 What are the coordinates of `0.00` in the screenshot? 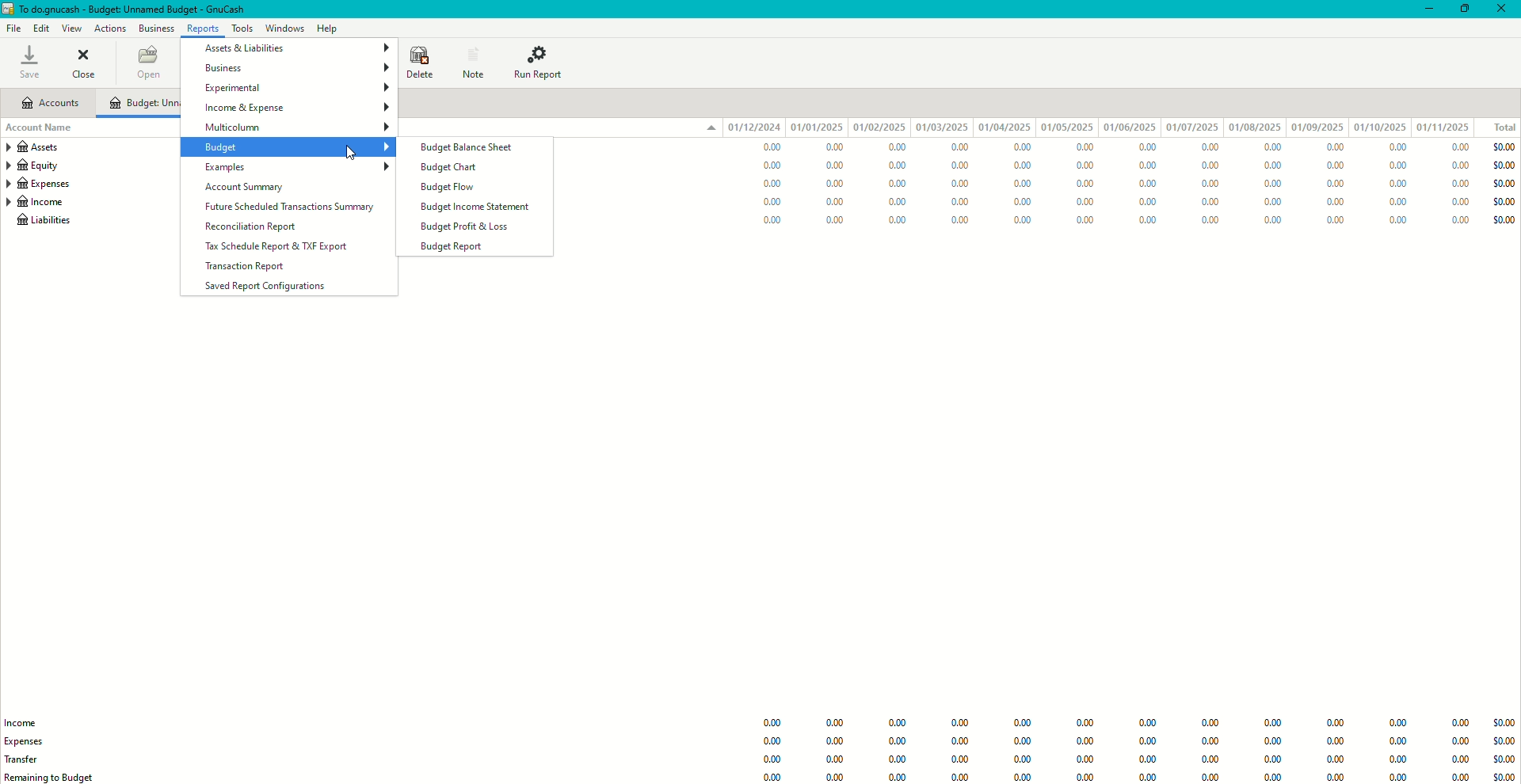 It's located at (901, 759).